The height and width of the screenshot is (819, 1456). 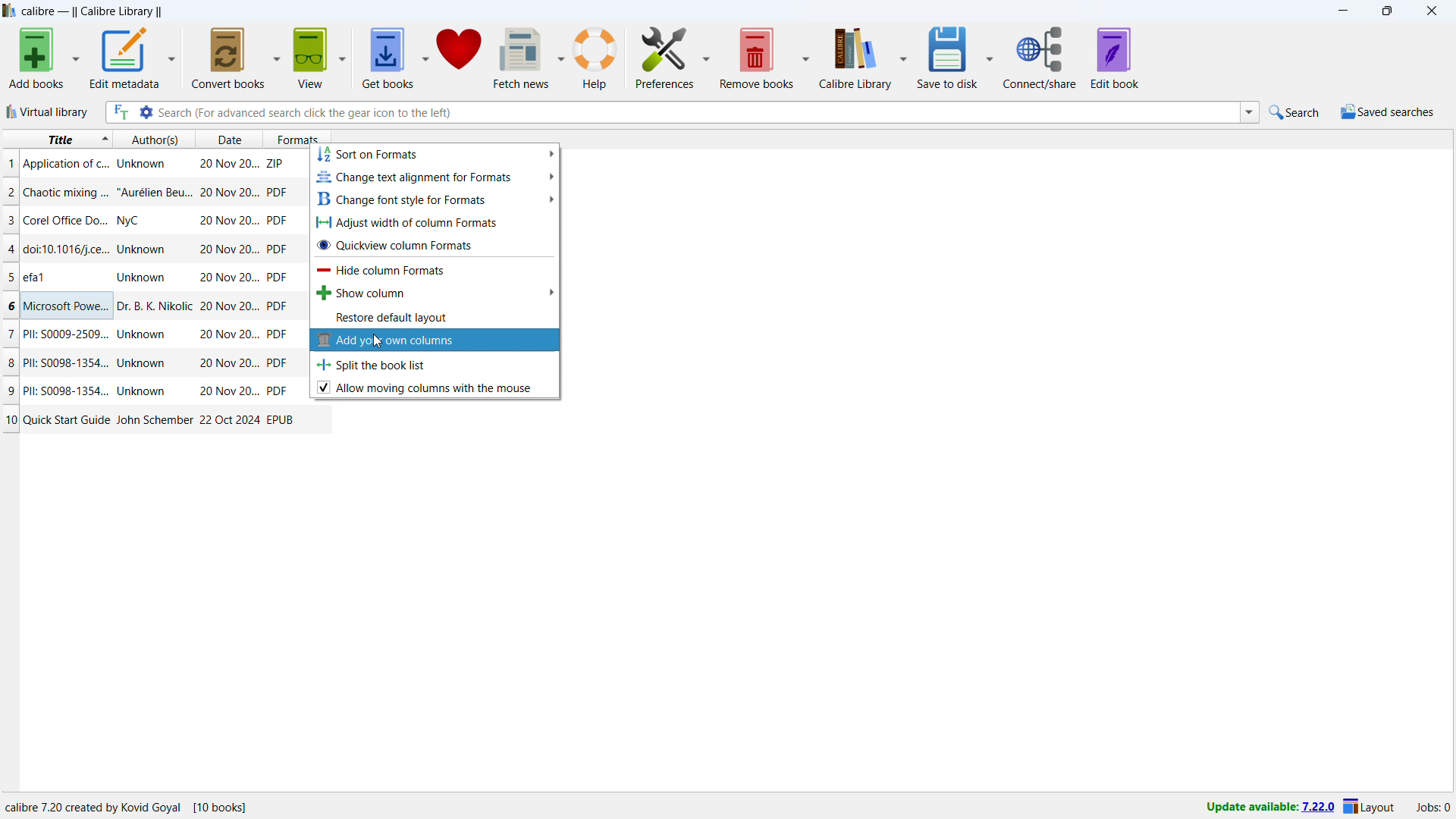 What do you see at coordinates (230, 419) in the screenshot?
I see `date` at bounding box center [230, 419].